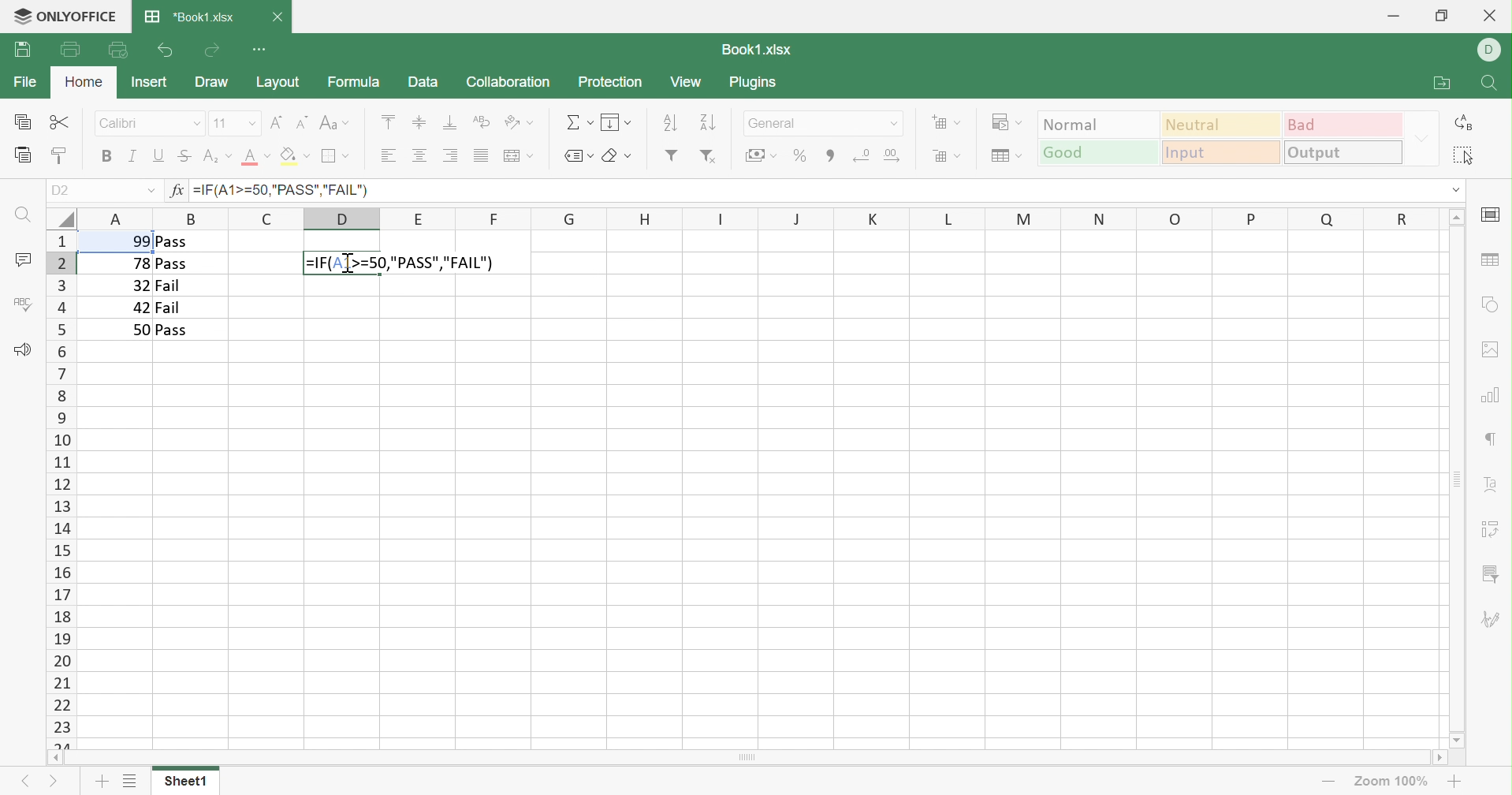 This screenshot has height=795, width=1512. Describe the element at coordinates (609, 81) in the screenshot. I see `Protection` at that location.